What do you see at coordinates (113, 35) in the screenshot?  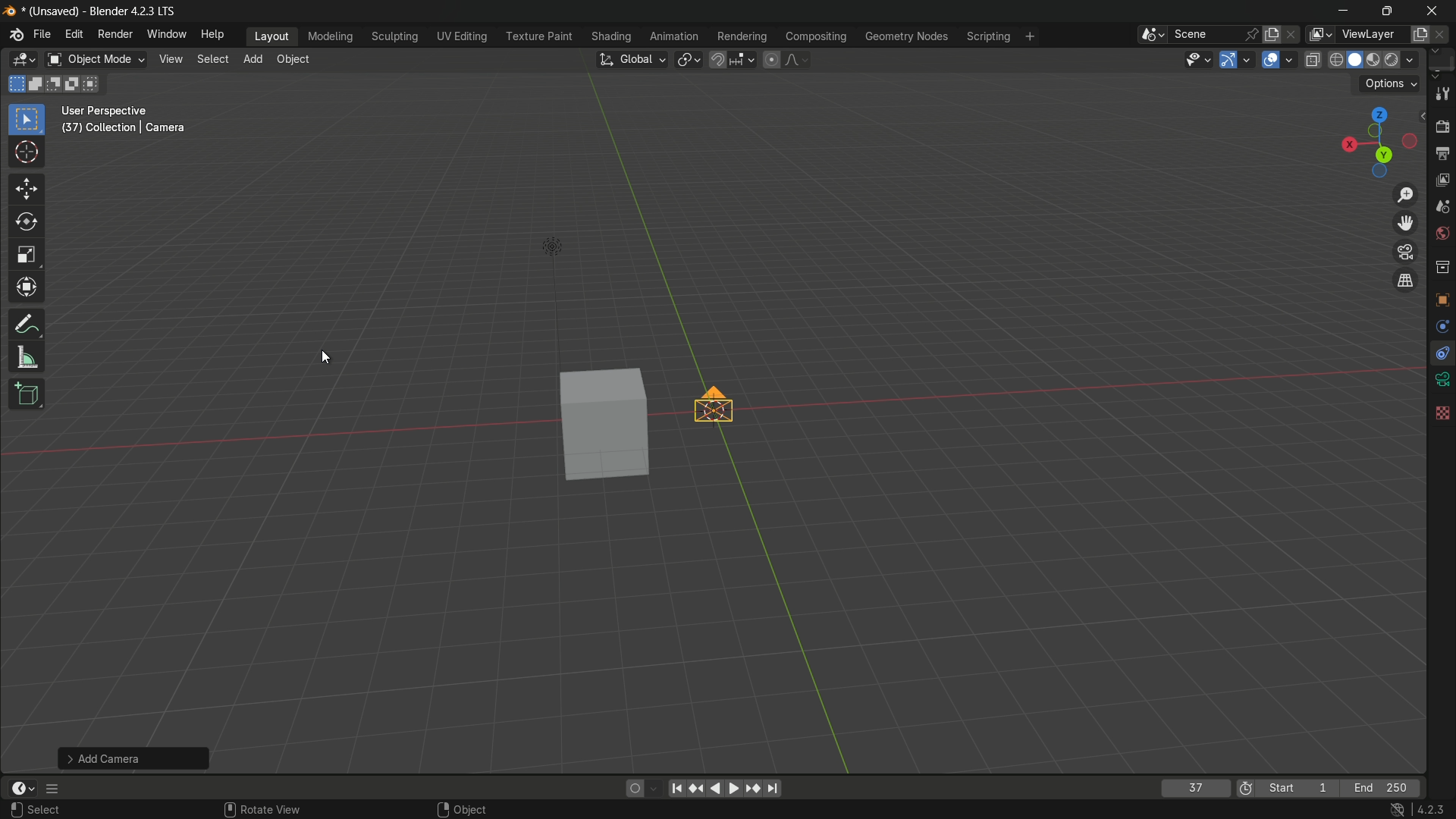 I see `render menu` at bounding box center [113, 35].